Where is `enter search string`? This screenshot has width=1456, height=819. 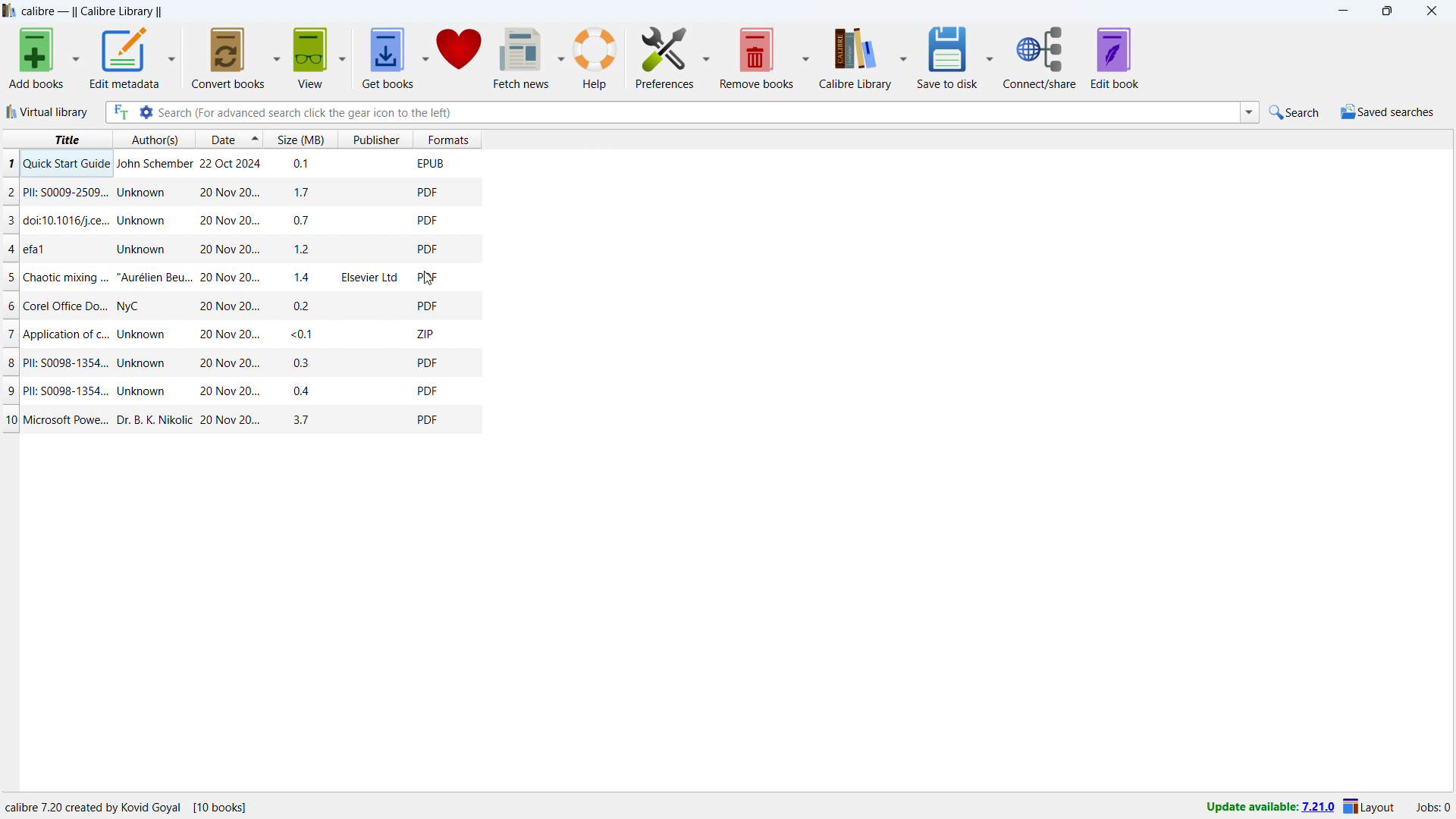 enter search string is located at coordinates (699, 113).